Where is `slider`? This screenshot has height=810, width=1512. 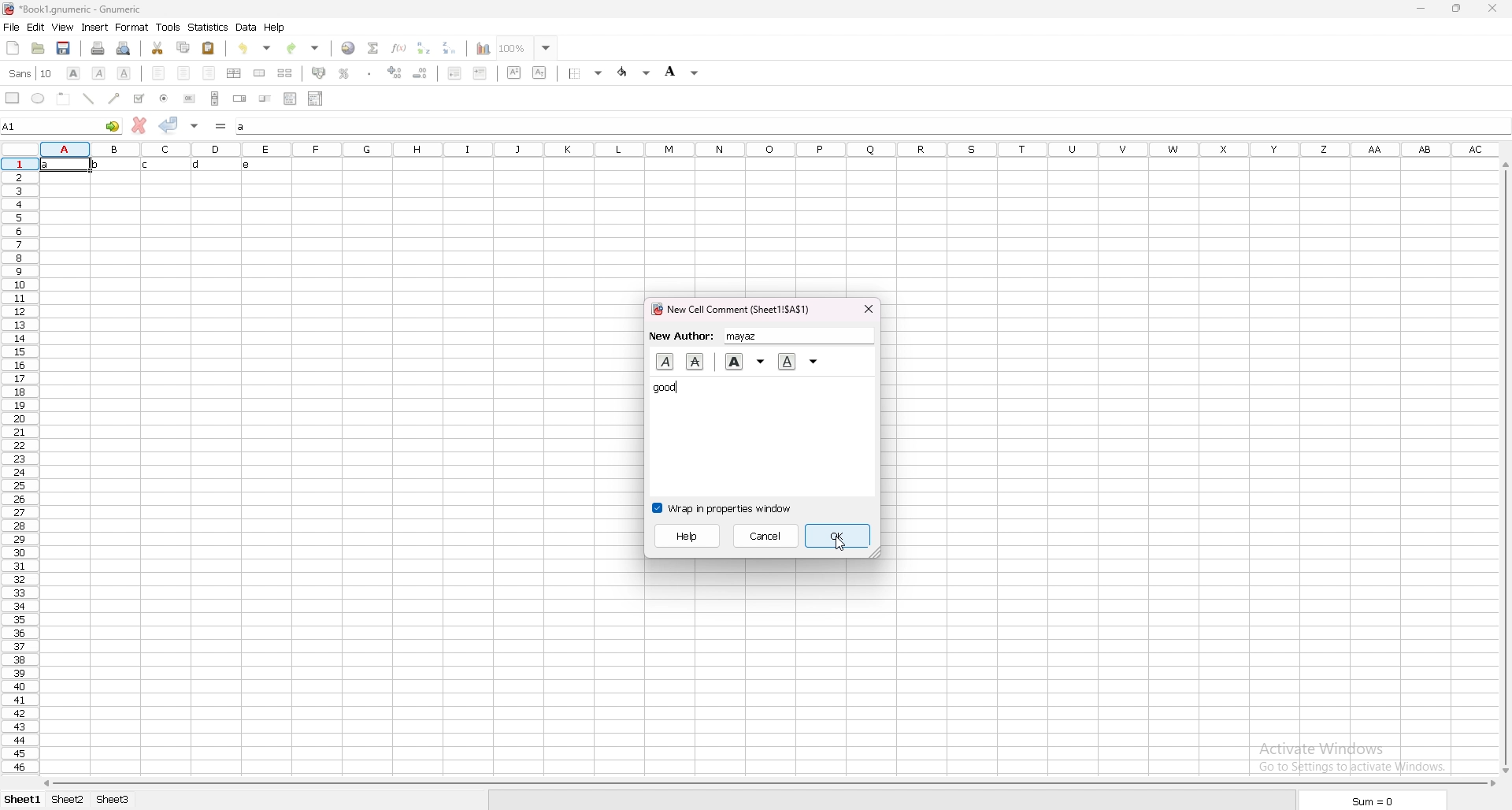
slider is located at coordinates (265, 99).